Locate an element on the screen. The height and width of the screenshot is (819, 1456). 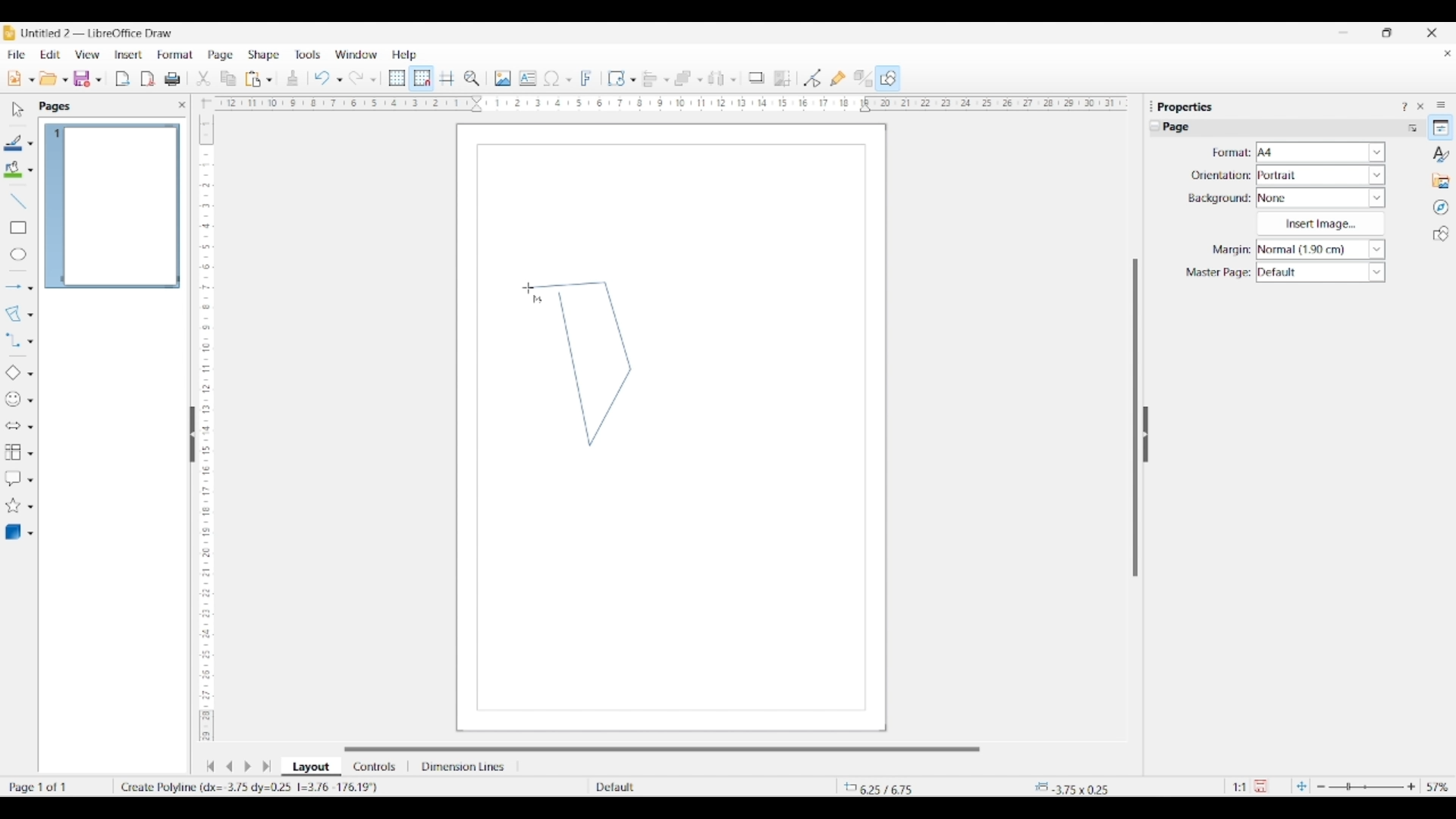
Vertical ruler is located at coordinates (204, 421).